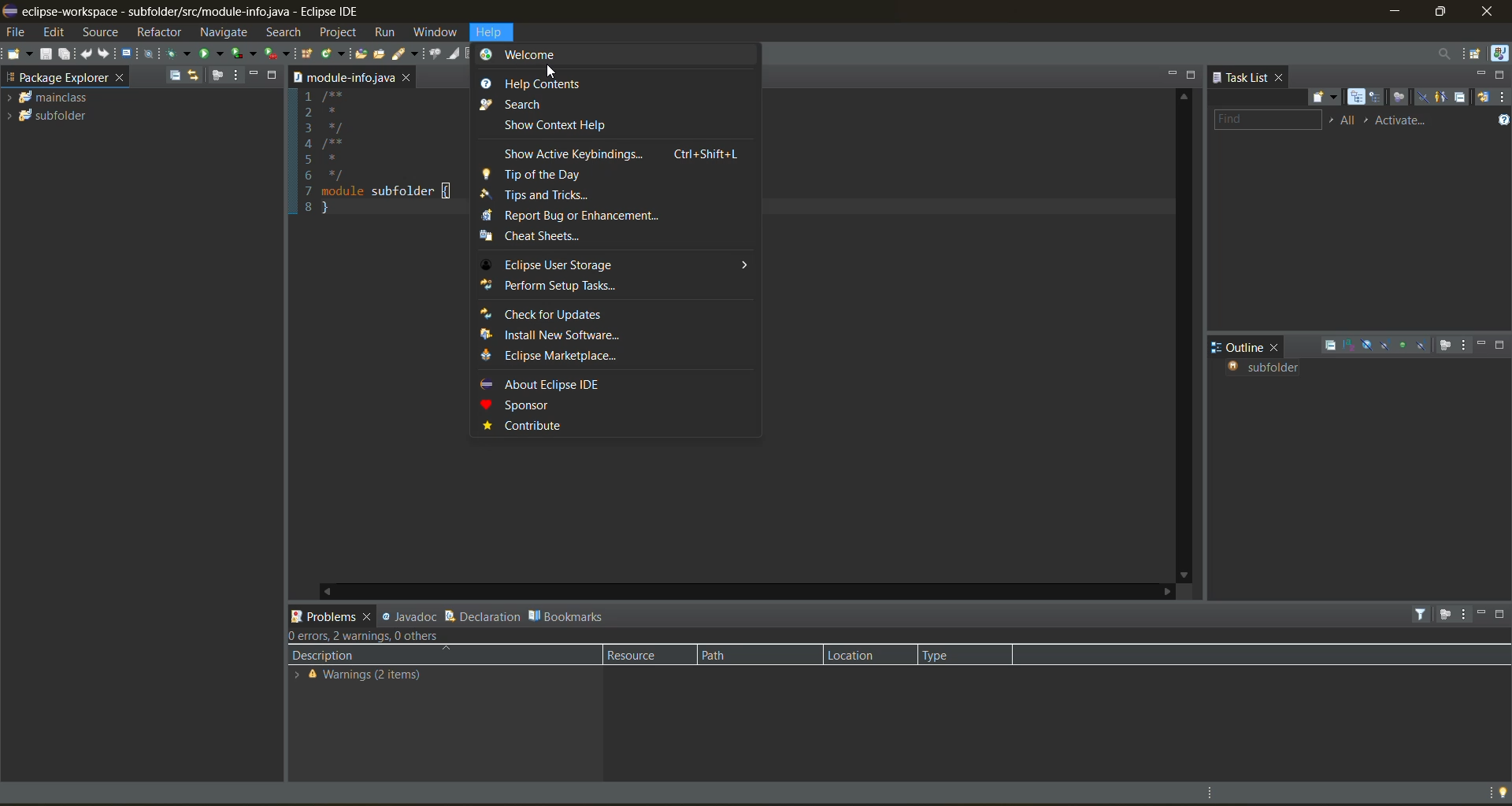 This screenshot has width=1512, height=806. Describe the element at coordinates (151, 54) in the screenshot. I see `skip all breakpoints` at that location.